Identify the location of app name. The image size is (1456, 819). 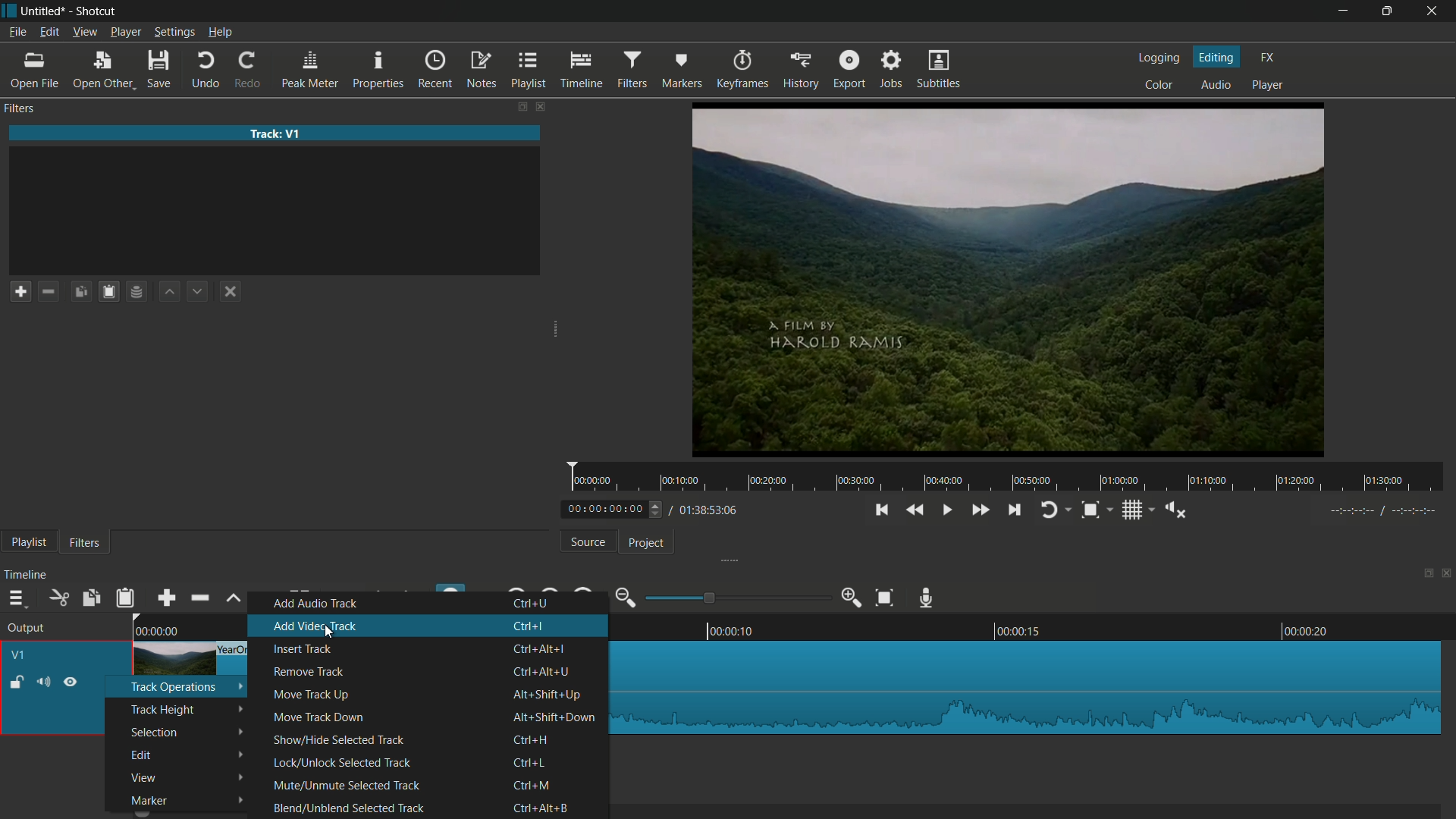
(98, 11).